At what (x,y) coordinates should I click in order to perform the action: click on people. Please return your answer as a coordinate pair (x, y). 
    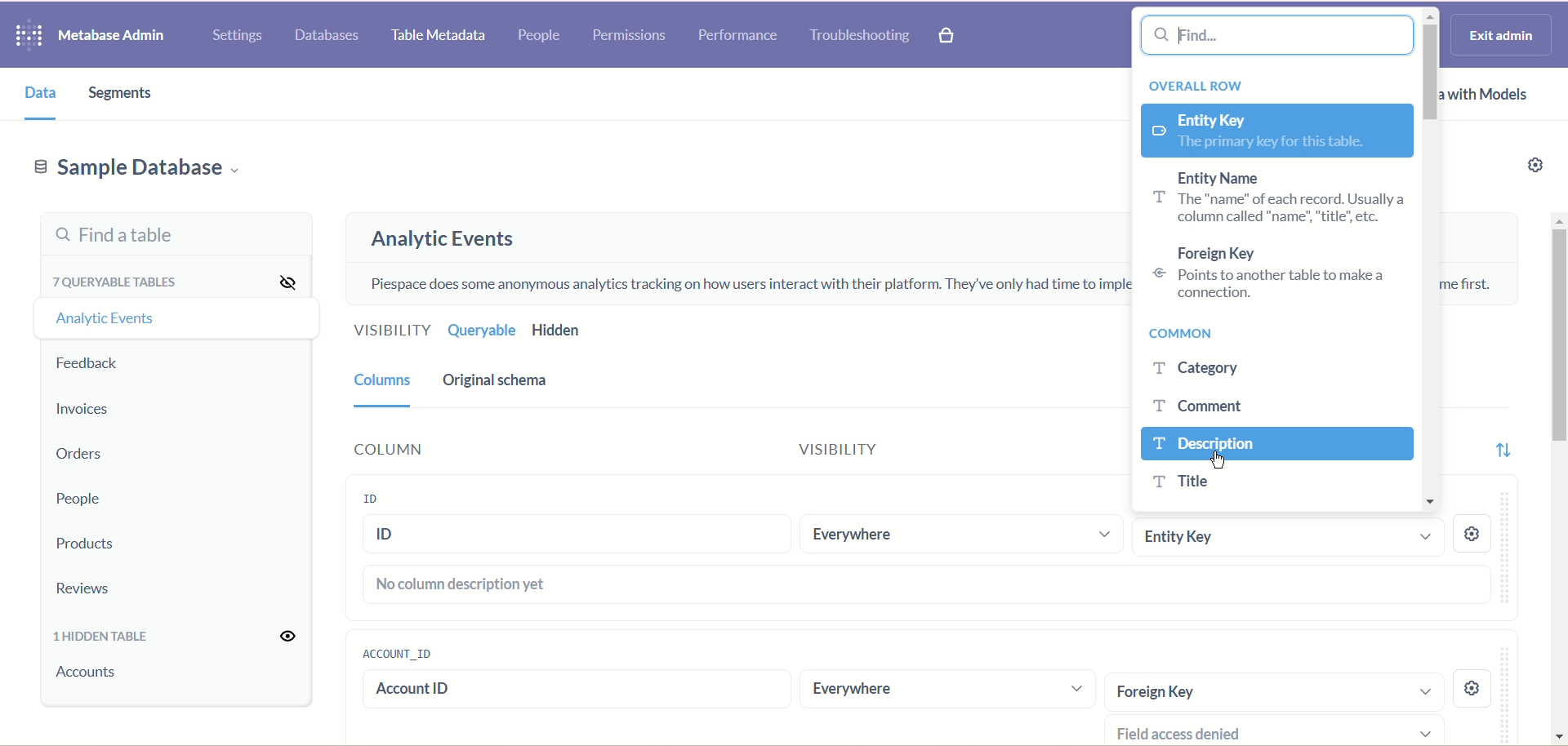
    Looking at the image, I should click on (538, 37).